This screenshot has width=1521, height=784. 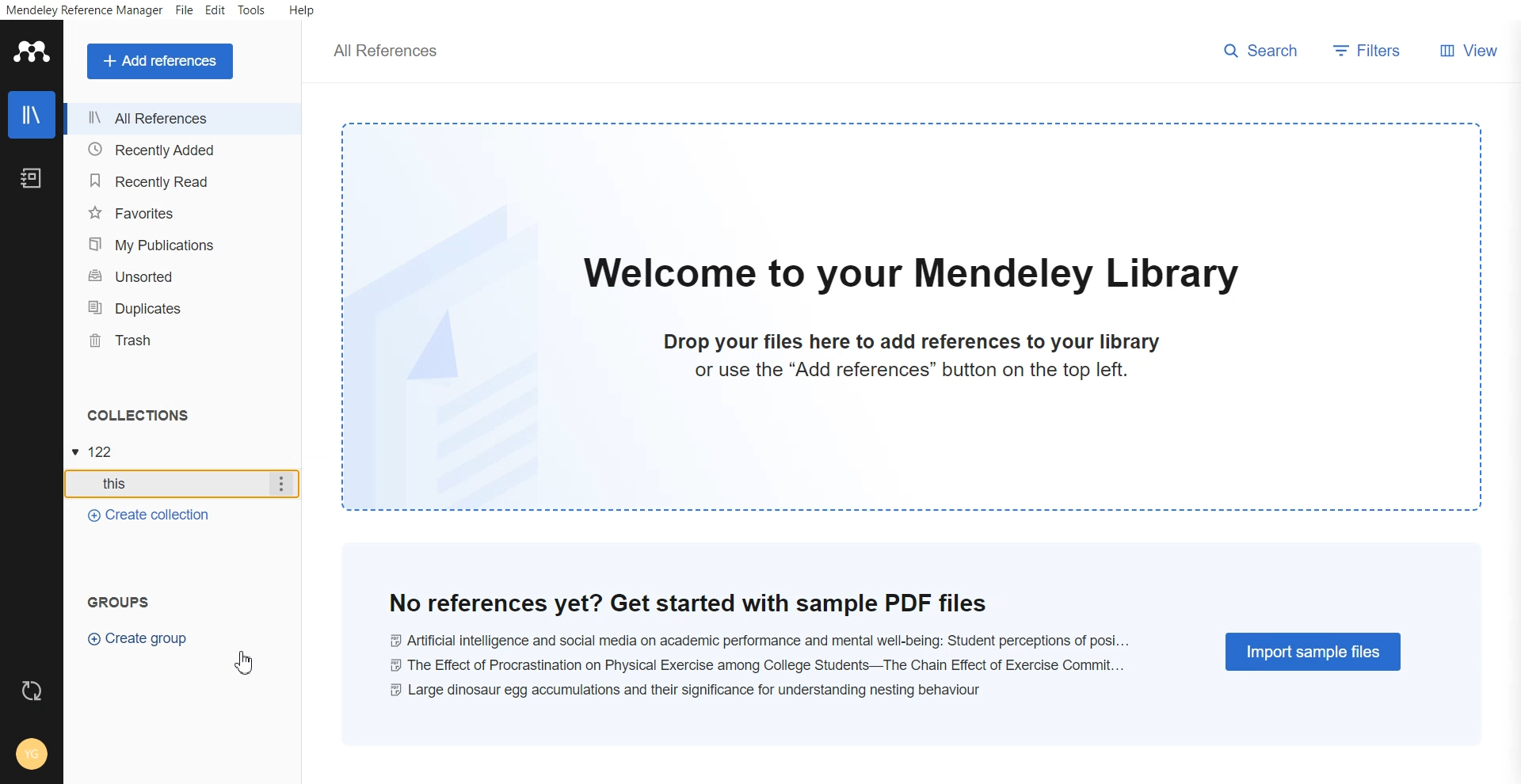 I want to click on Notebook, so click(x=30, y=177).